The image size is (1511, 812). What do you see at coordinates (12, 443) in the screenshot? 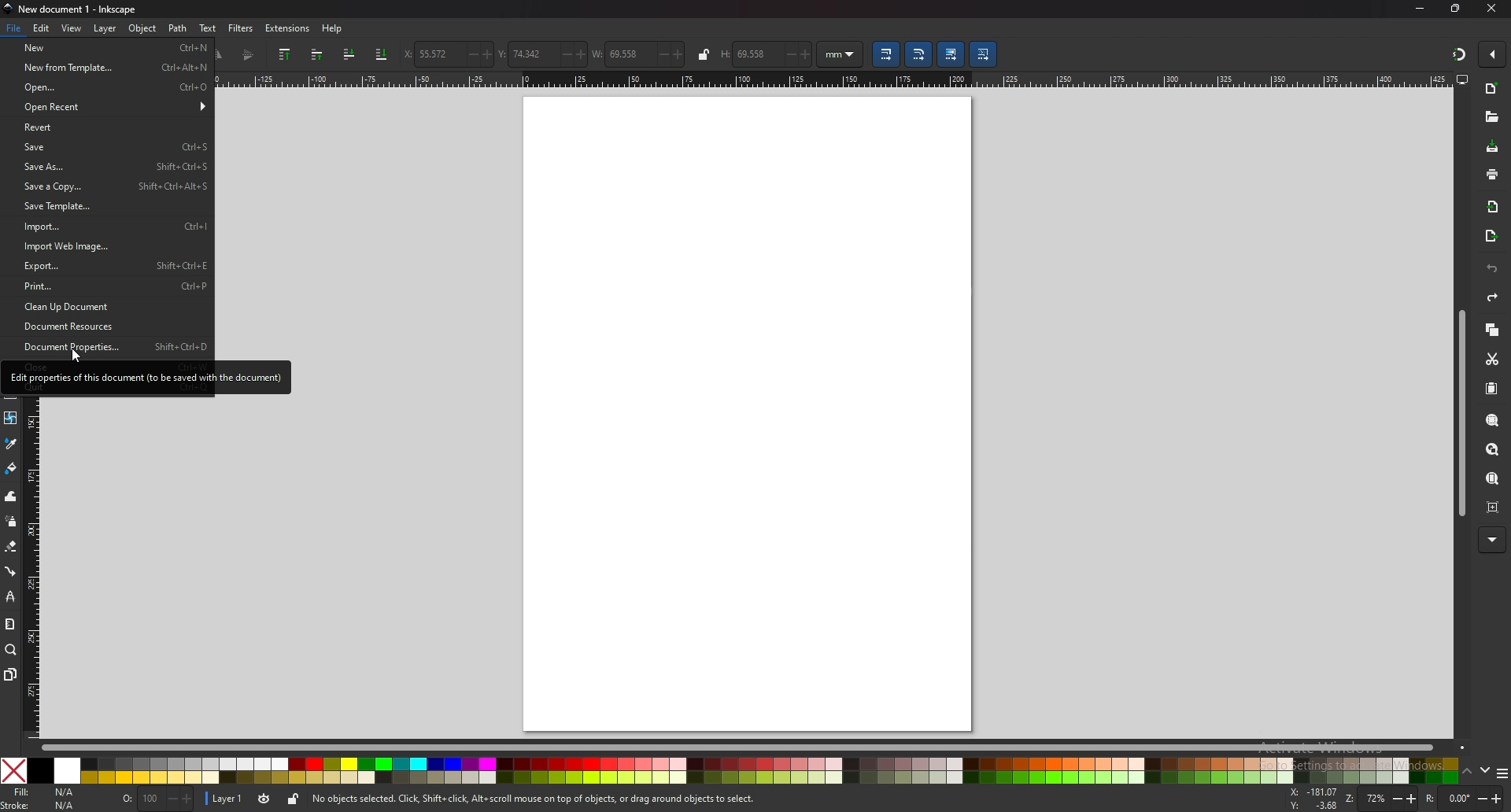
I see `dropper` at bounding box center [12, 443].